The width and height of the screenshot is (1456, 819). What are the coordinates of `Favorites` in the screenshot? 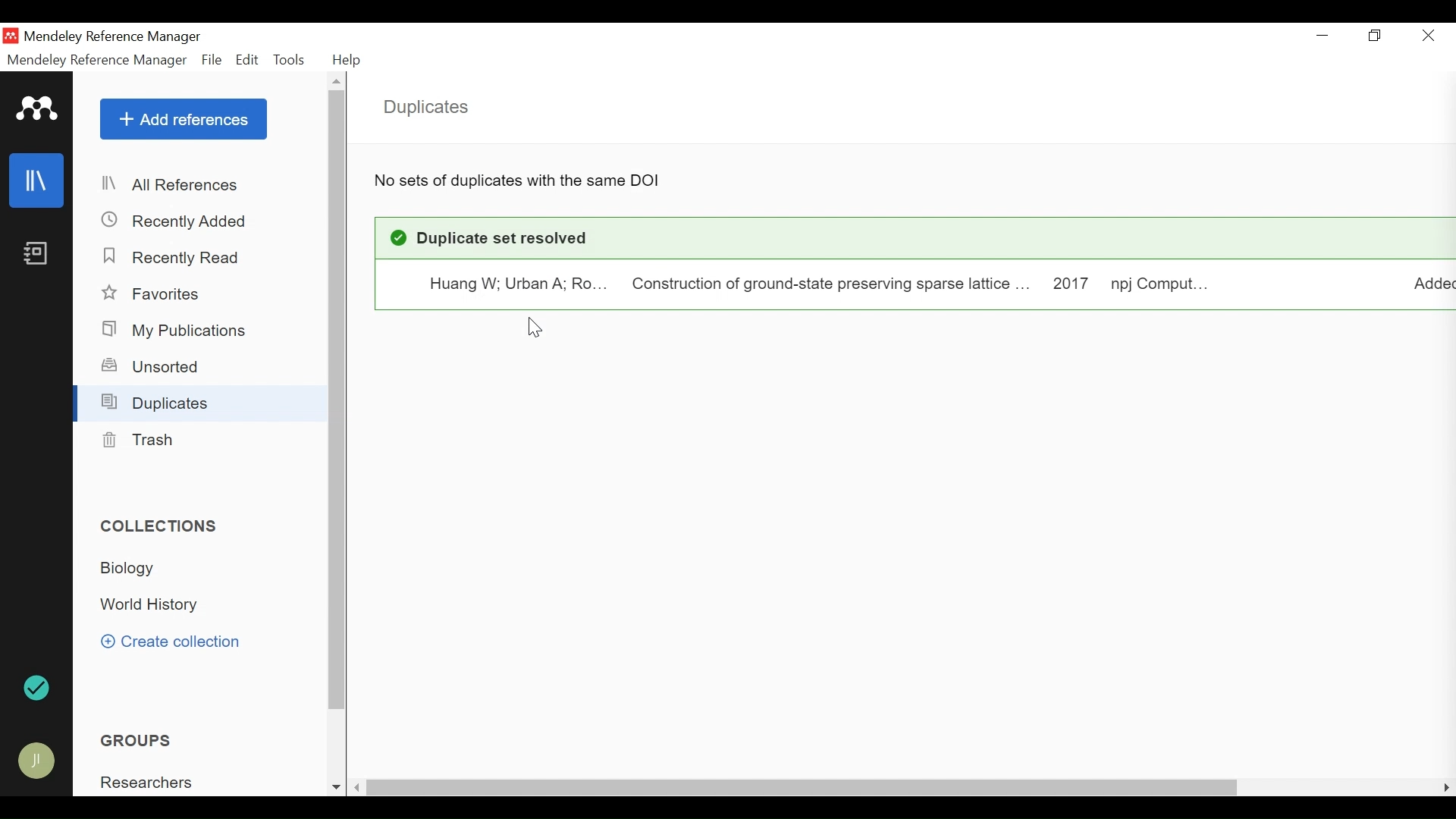 It's located at (152, 294).